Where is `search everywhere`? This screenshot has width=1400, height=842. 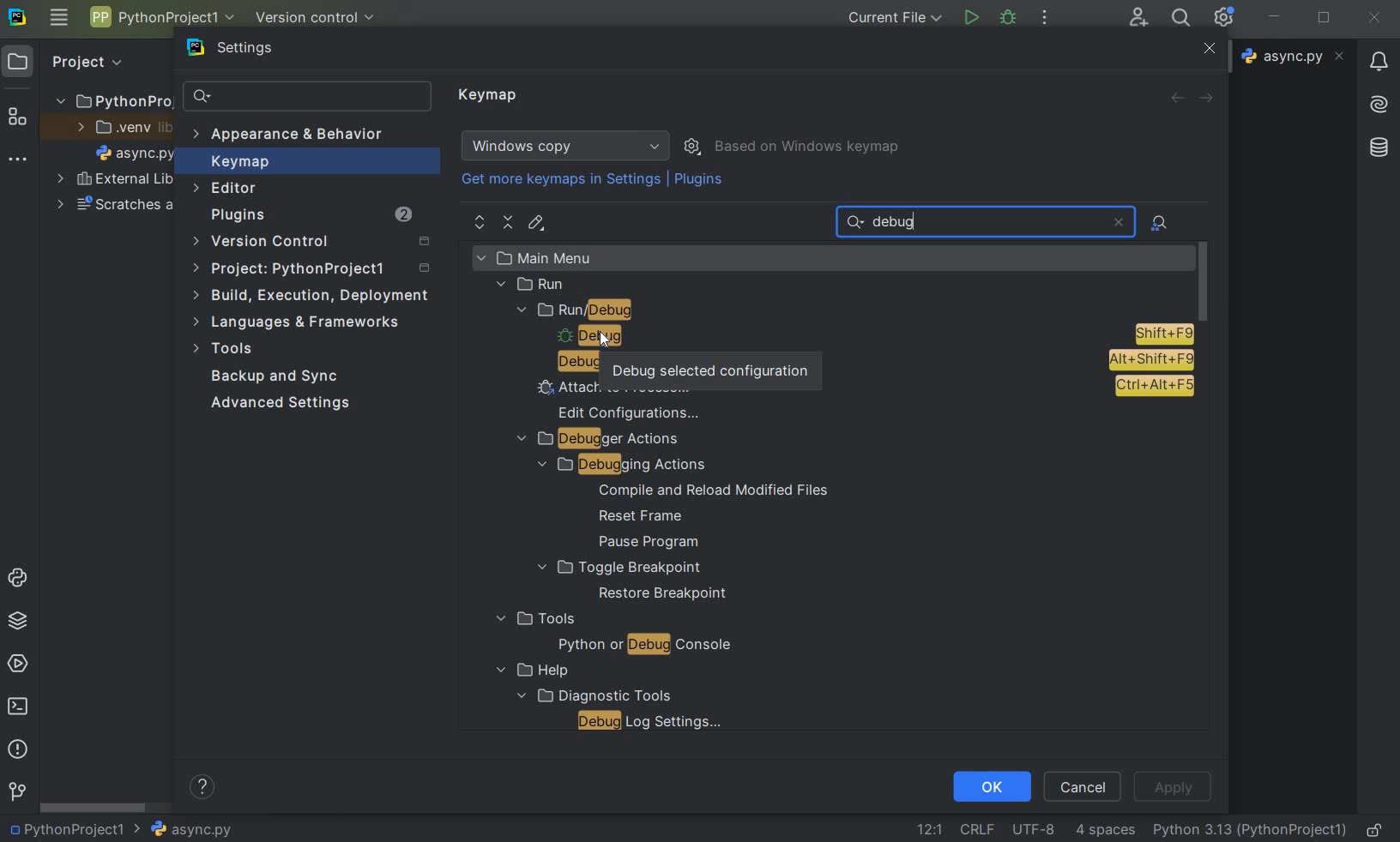 search everywhere is located at coordinates (1178, 20).